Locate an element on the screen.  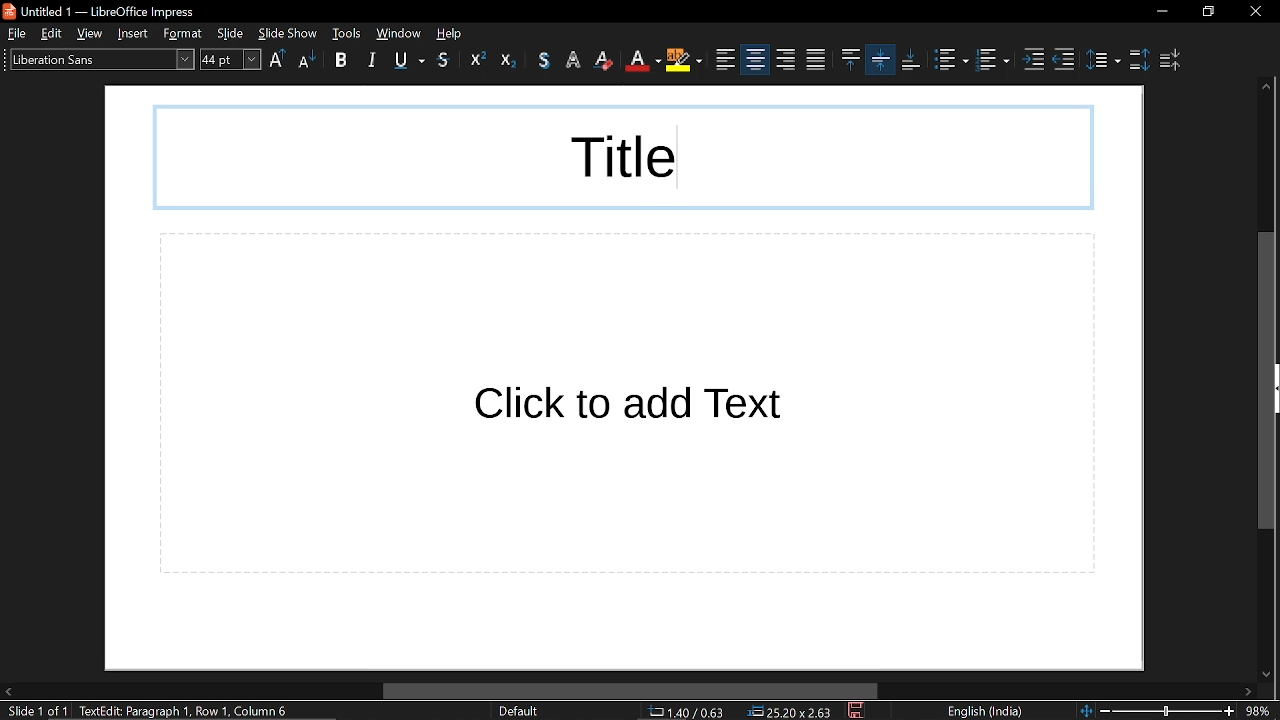
center is located at coordinates (726, 60).